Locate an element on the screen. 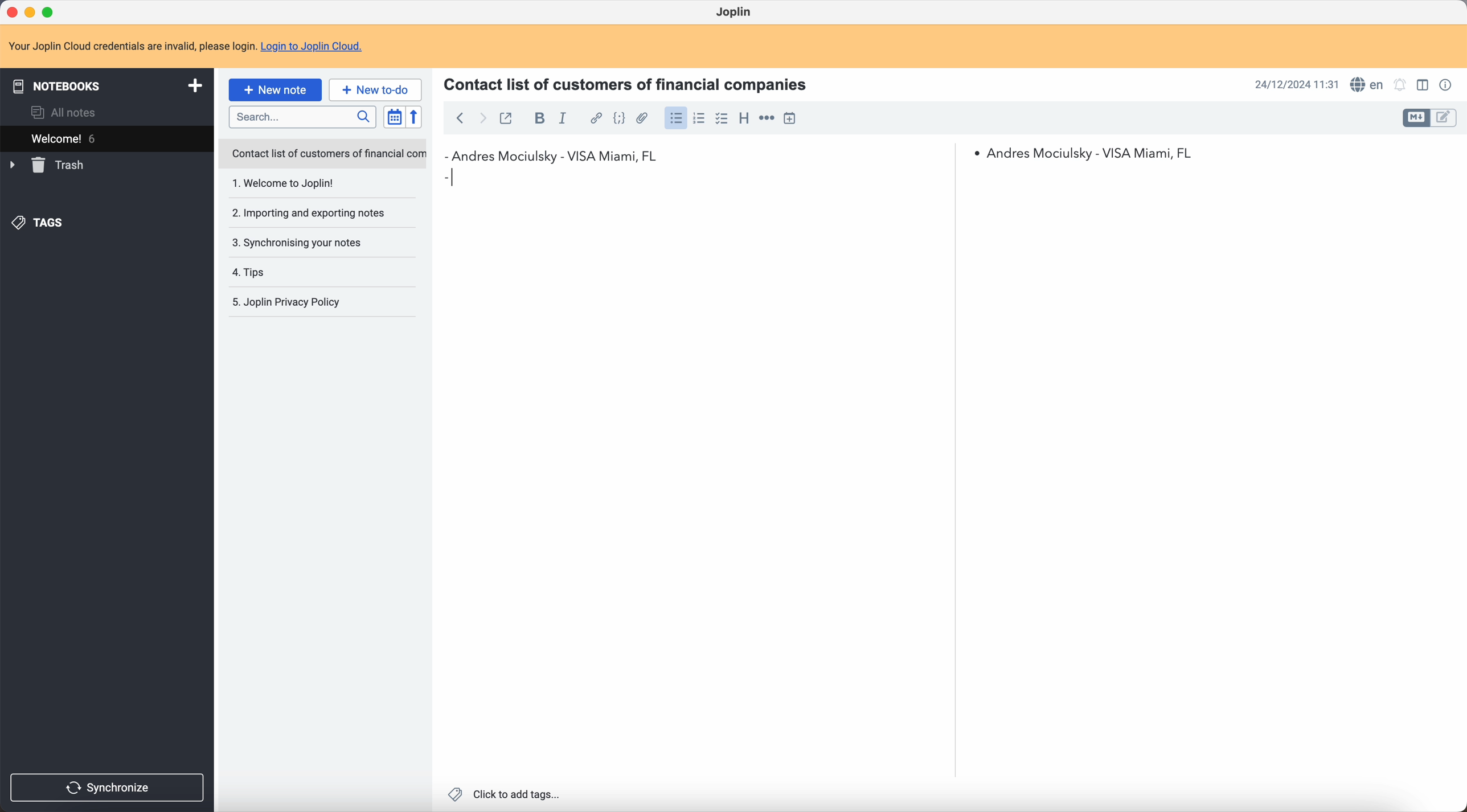 The width and height of the screenshot is (1467, 812). bold is located at coordinates (538, 118).